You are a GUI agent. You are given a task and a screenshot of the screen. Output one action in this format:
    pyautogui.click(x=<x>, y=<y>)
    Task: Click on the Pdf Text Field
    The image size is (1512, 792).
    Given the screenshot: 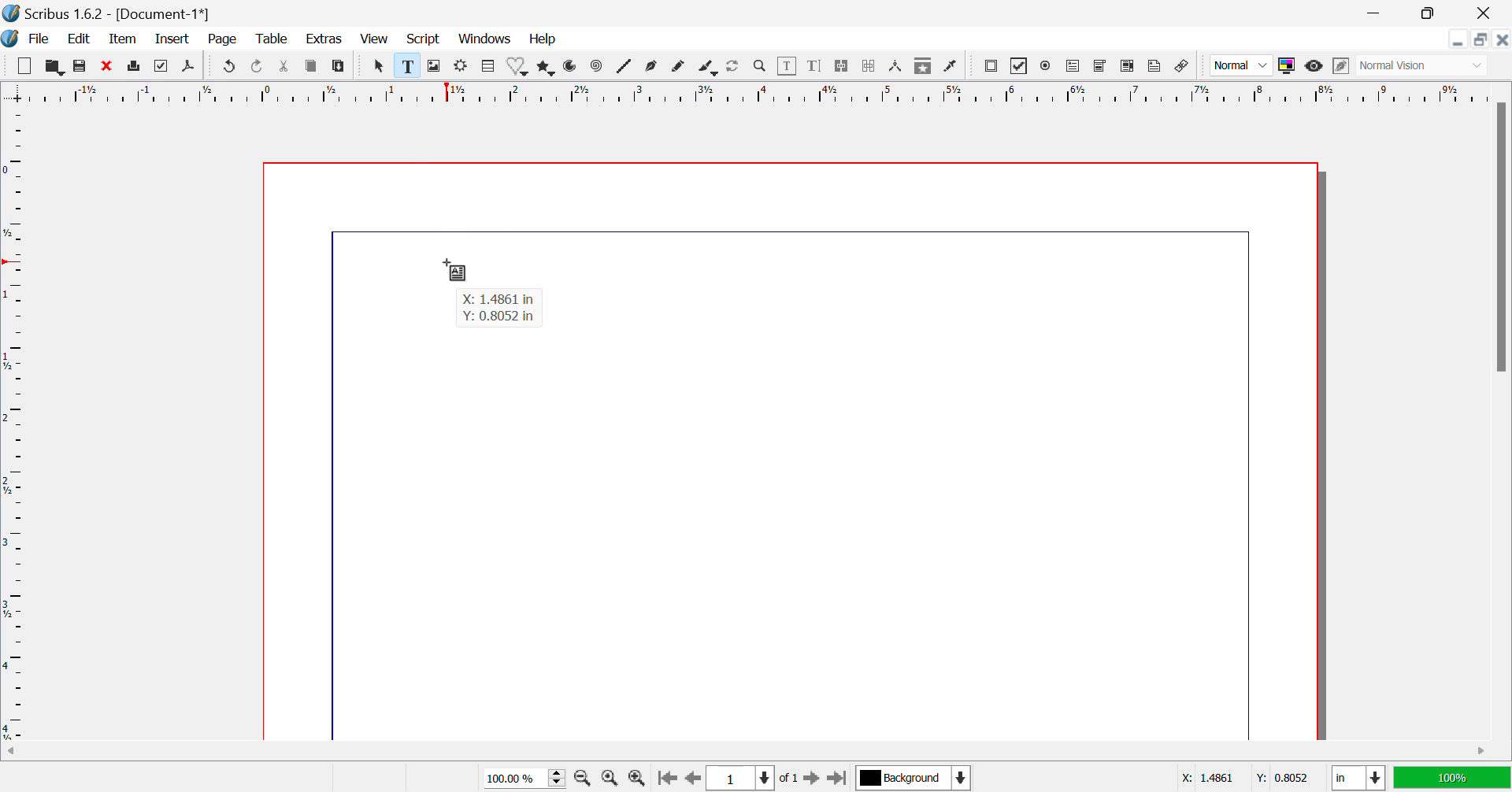 What is the action you would take?
    pyautogui.click(x=1074, y=68)
    